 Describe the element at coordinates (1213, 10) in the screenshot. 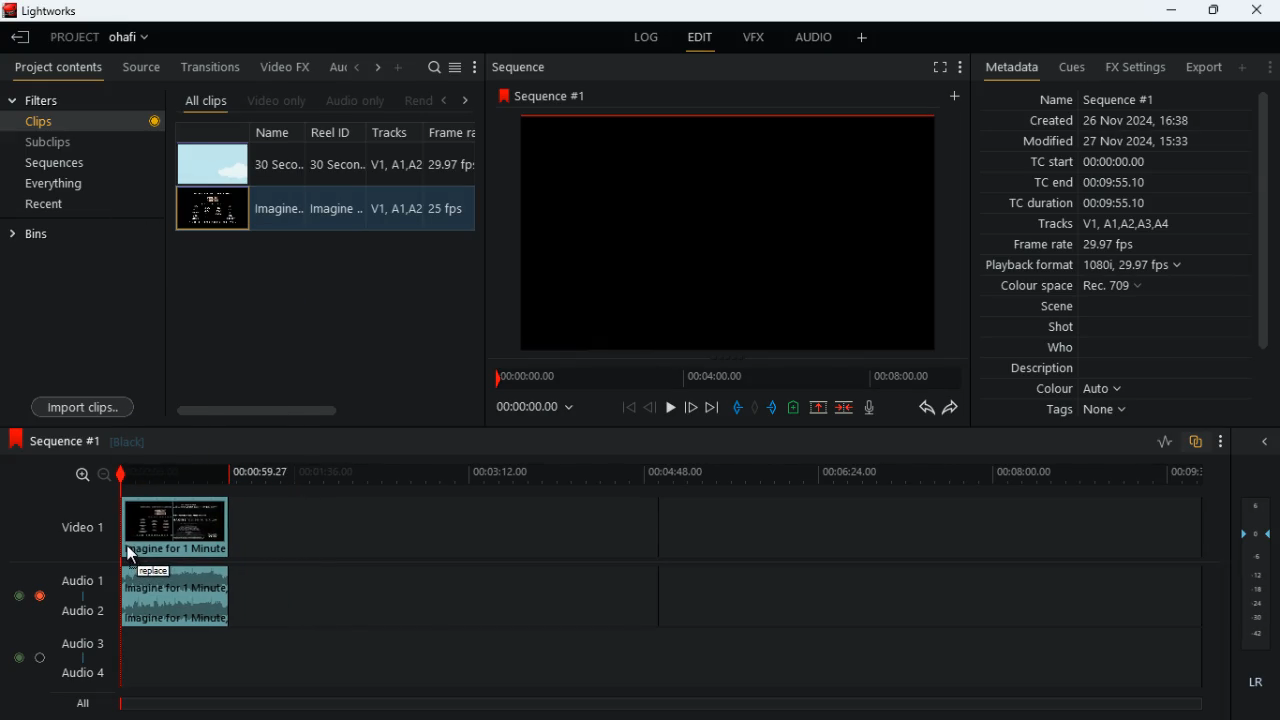

I see `maximize` at that location.